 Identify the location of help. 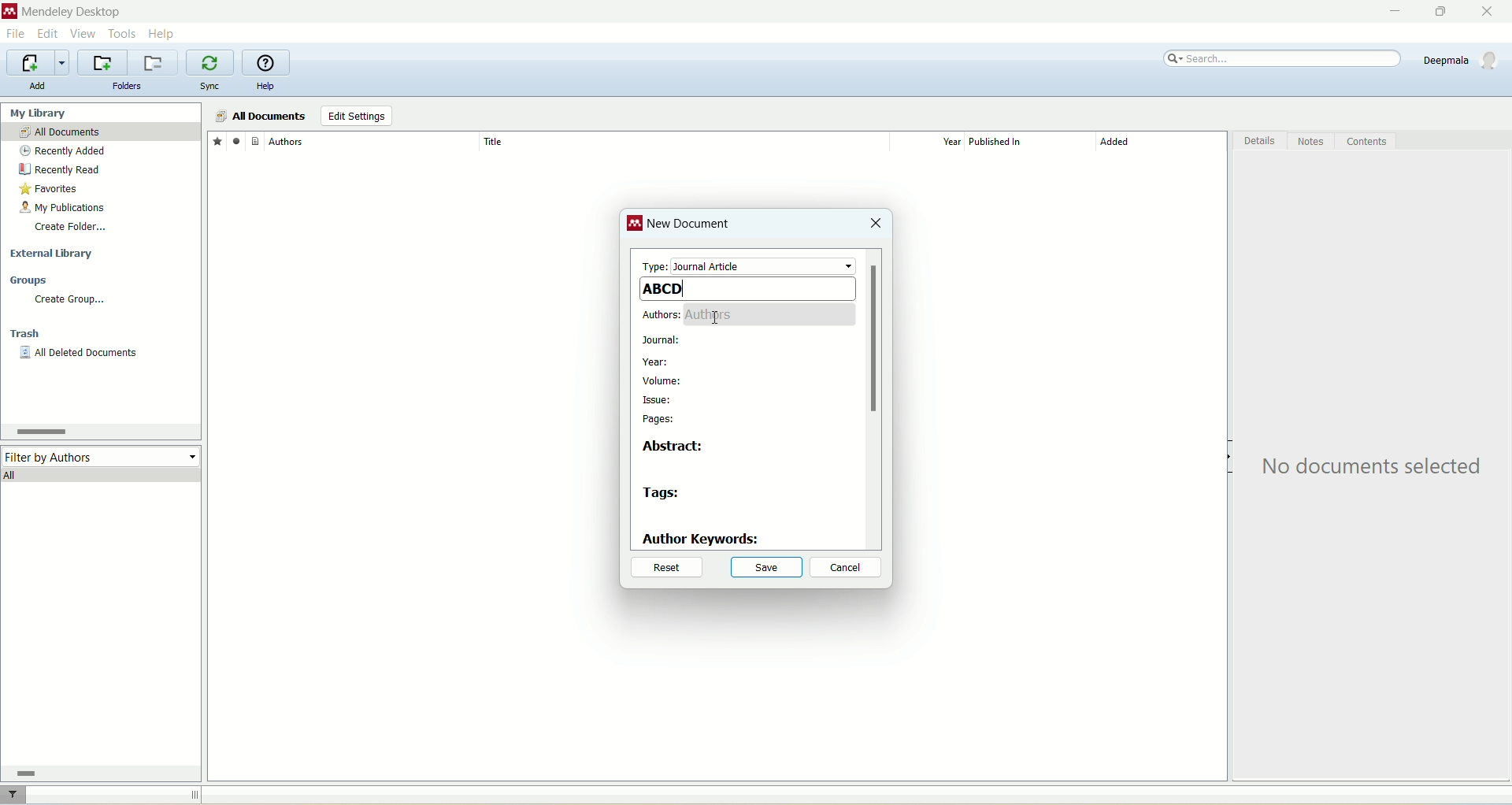
(163, 33).